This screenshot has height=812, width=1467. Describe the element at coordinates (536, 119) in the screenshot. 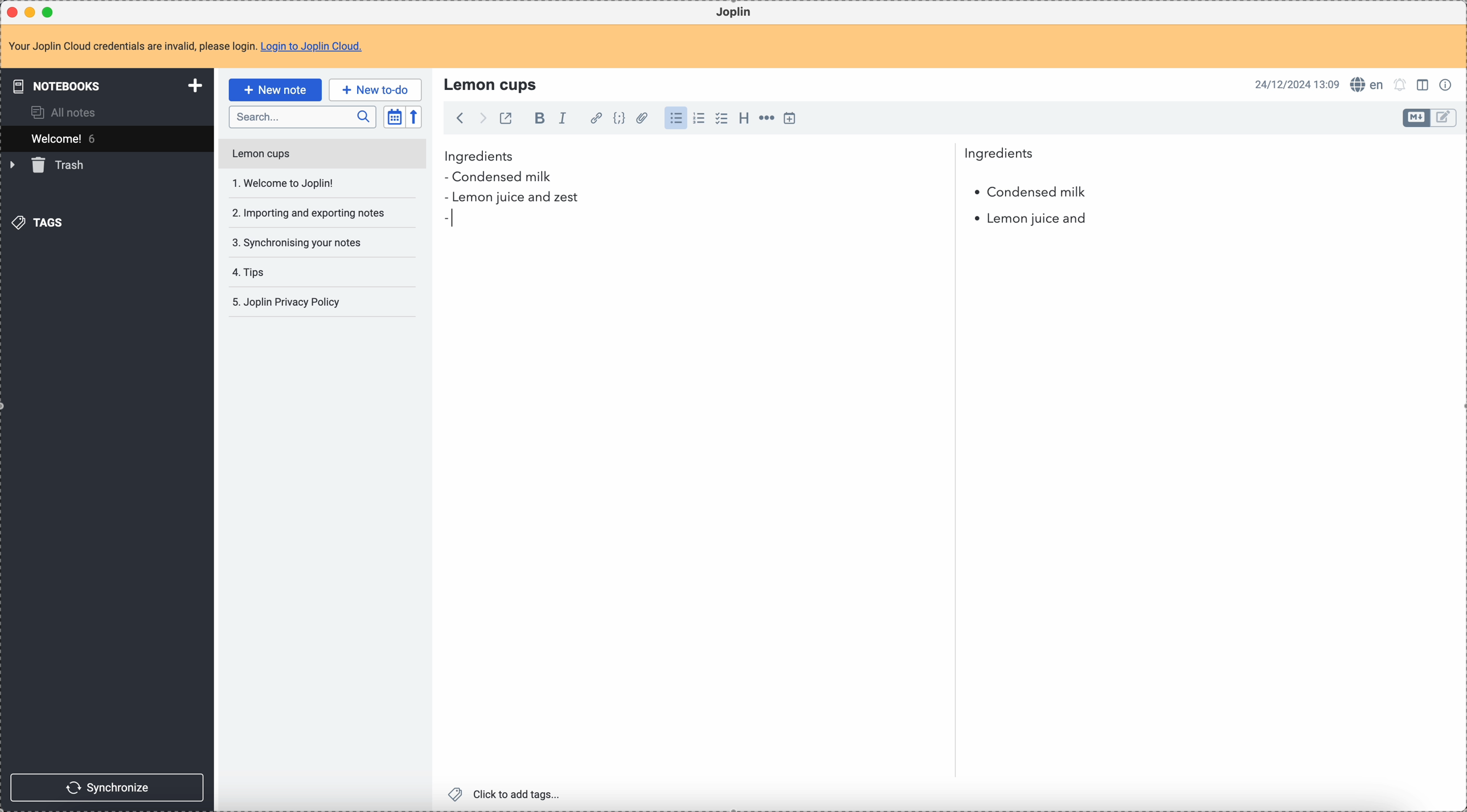

I see `bold` at that location.